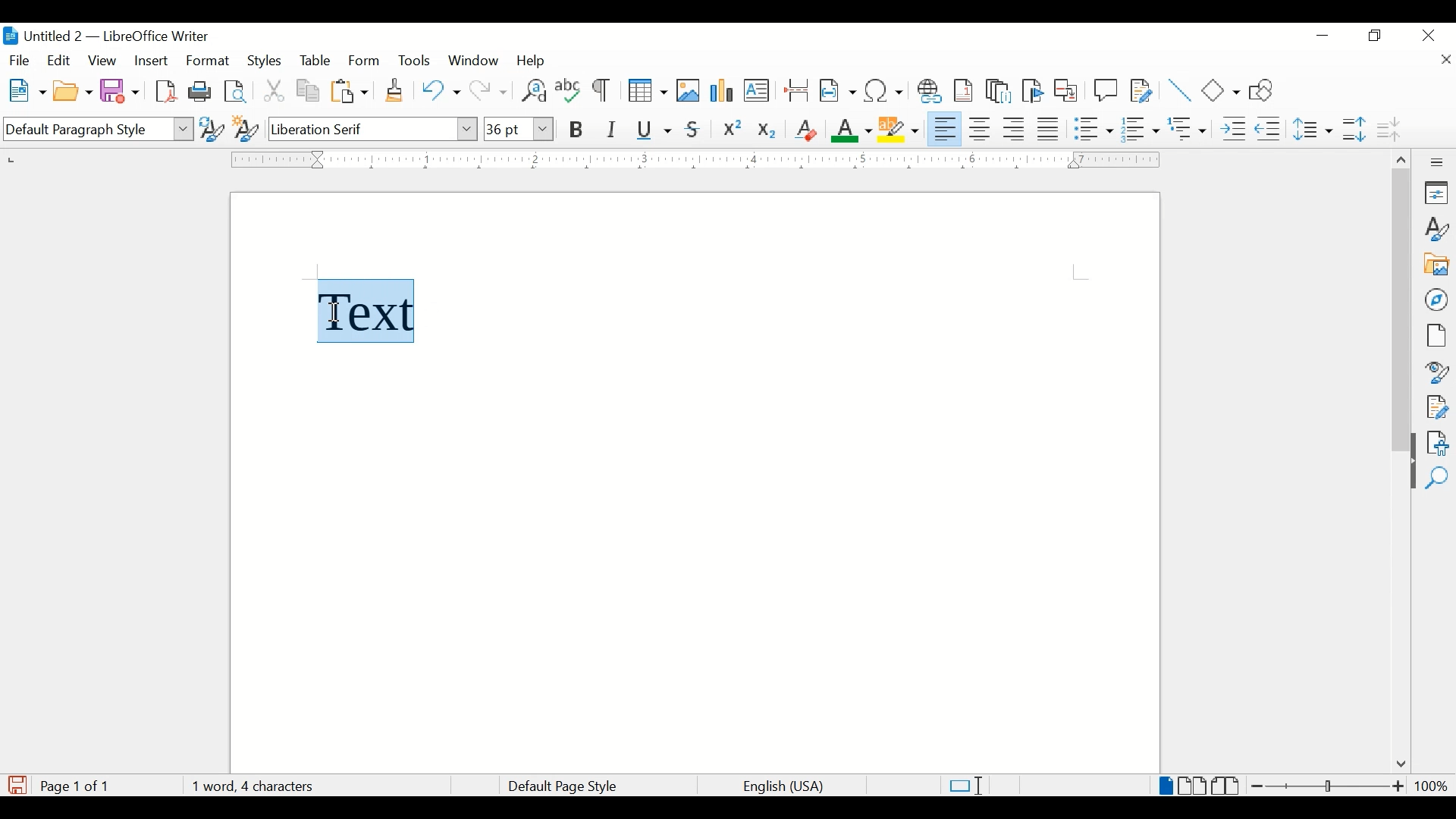 This screenshot has width=1456, height=819. Describe the element at coordinates (1266, 89) in the screenshot. I see `show draw functions` at that location.